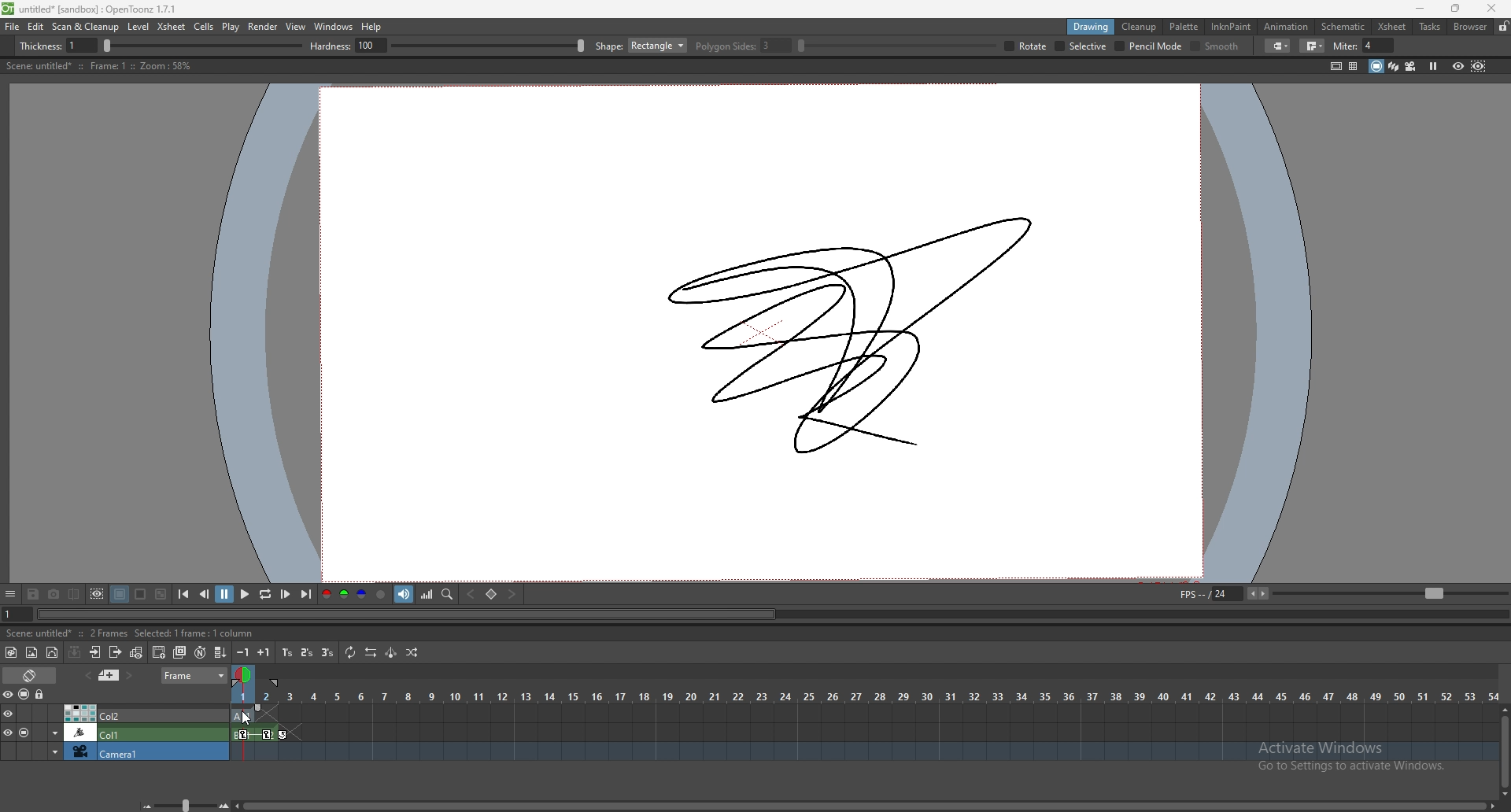 The image size is (1511, 812). What do you see at coordinates (289, 652) in the screenshot?
I see `reframe on 1s` at bounding box center [289, 652].